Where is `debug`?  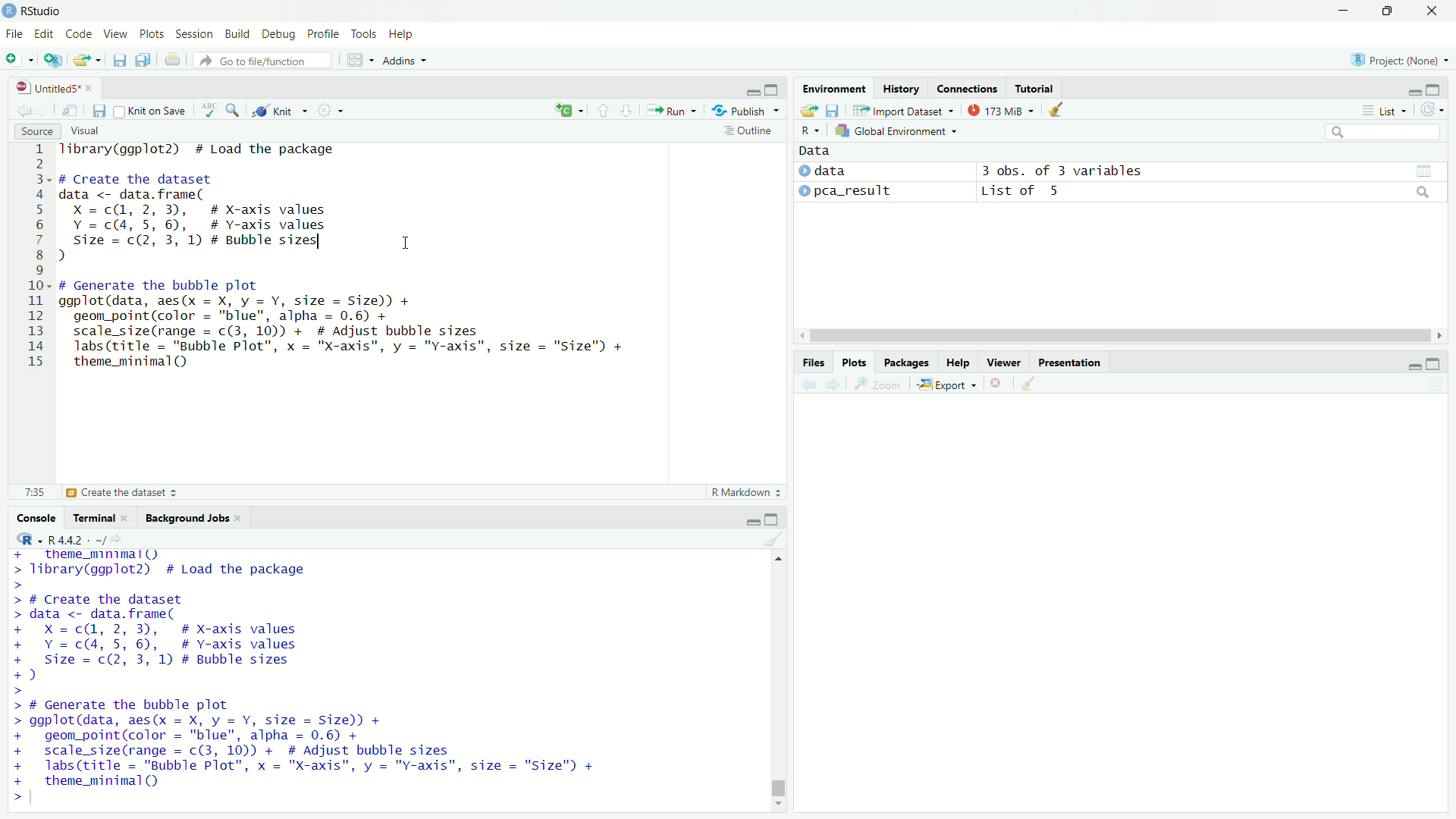 debug is located at coordinates (280, 35).